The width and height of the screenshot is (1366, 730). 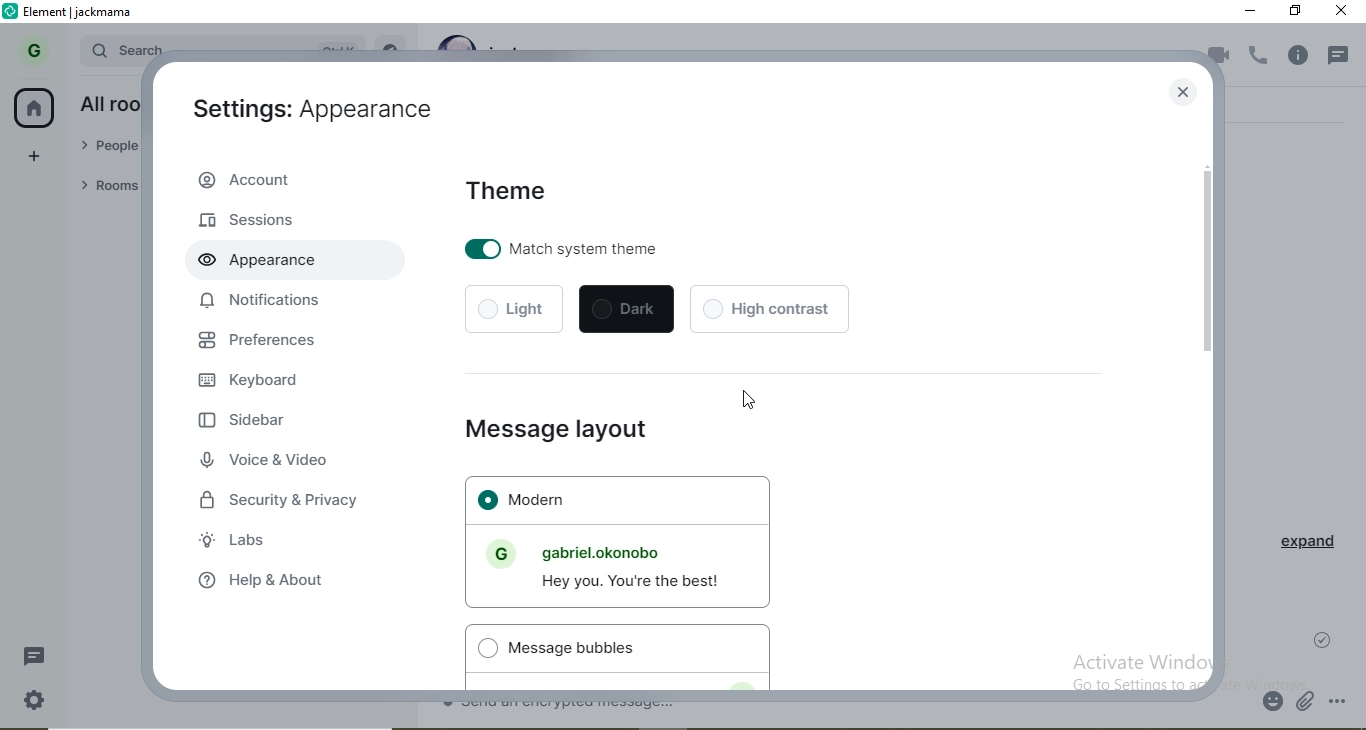 What do you see at coordinates (244, 423) in the screenshot?
I see `sidebar` at bounding box center [244, 423].